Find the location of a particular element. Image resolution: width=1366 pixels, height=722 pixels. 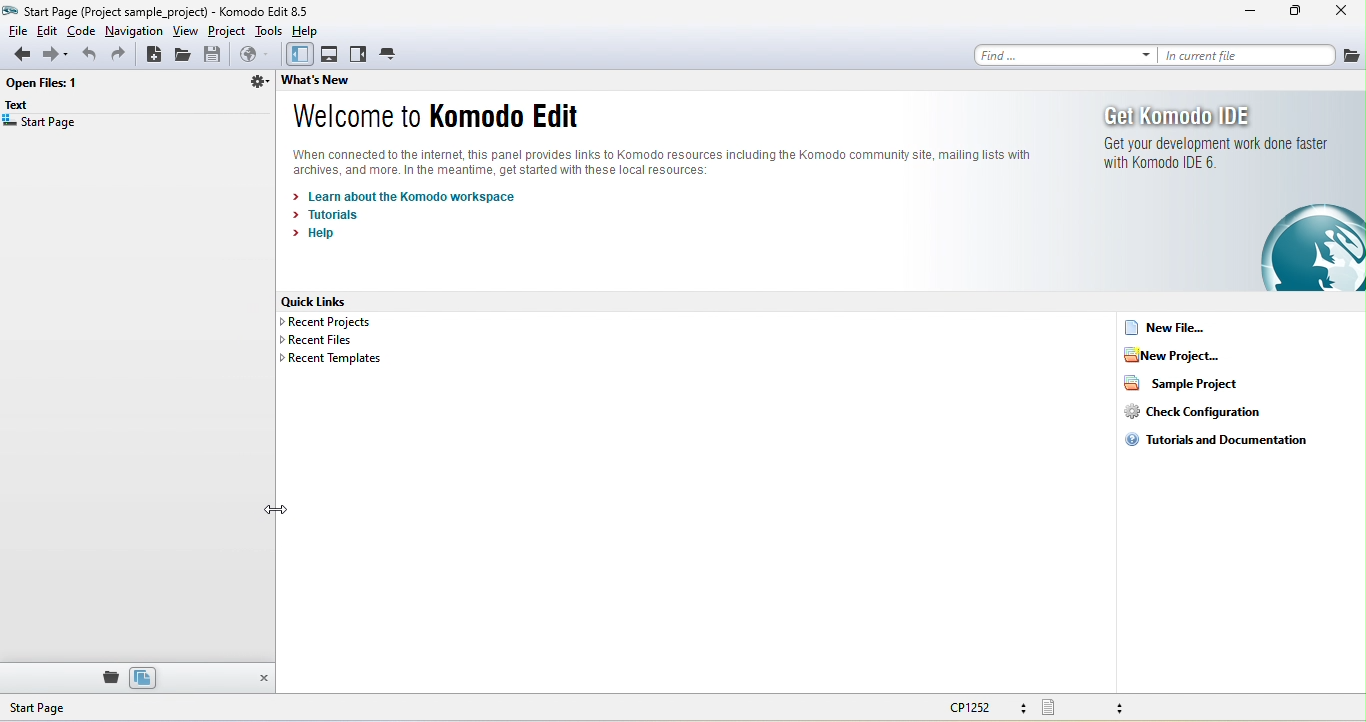

tutorials and documentation is located at coordinates (1218, 441).